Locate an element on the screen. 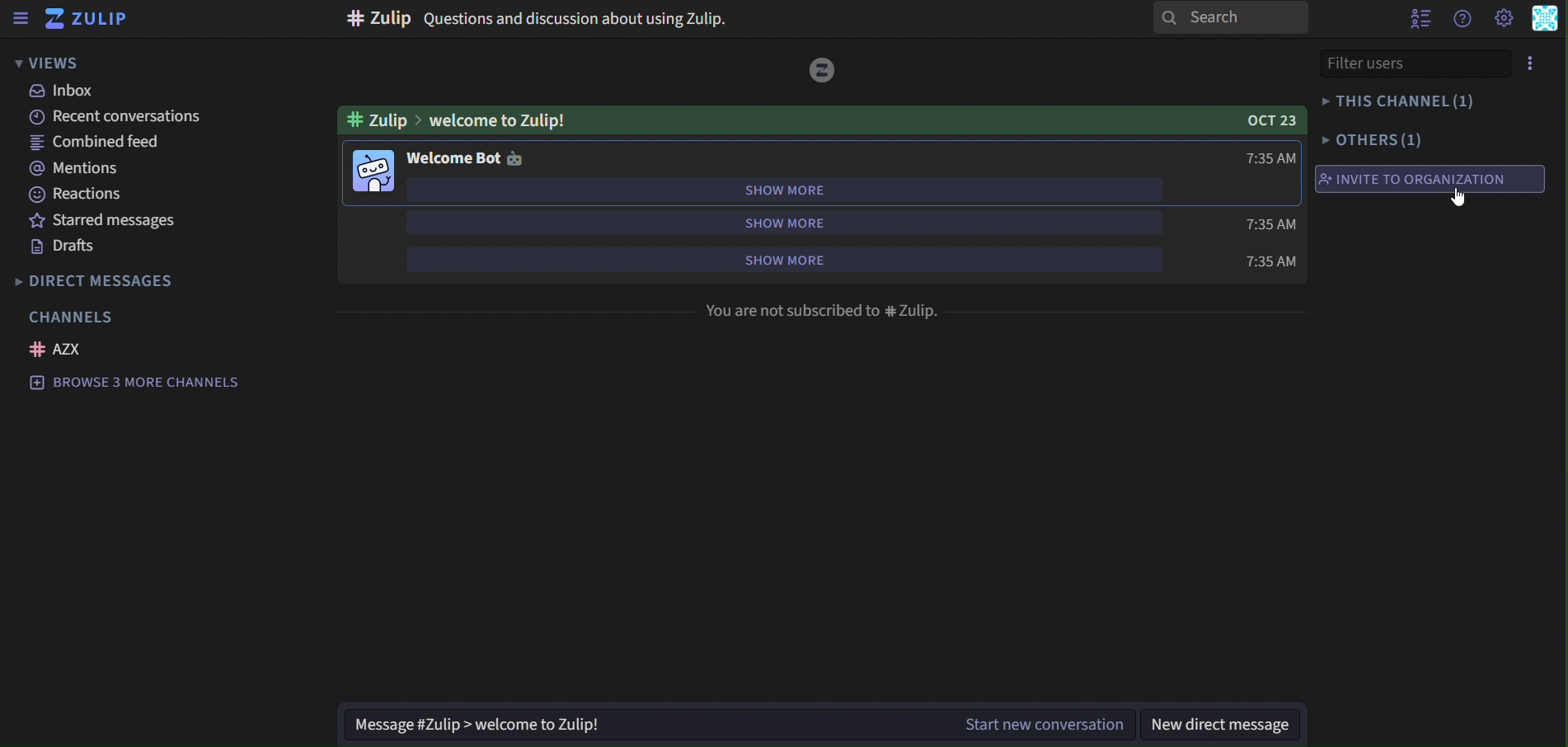 Image resolution: width=1568 pixels, height=747 pixels. main menu is located at coordinates (1504, 19).